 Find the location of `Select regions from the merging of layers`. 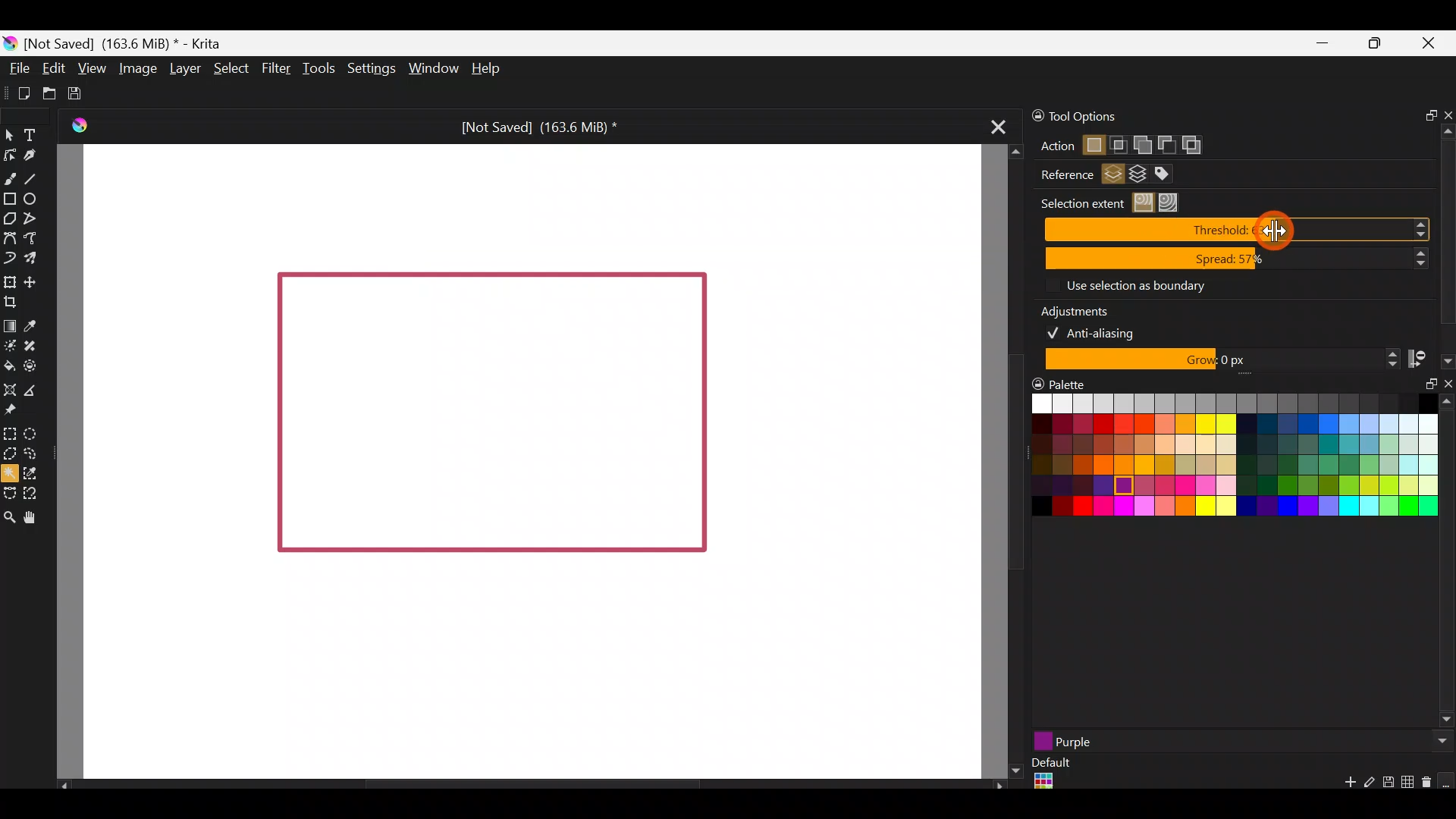

Select regions from the merging of layers is located at coordinates (1138, 177).